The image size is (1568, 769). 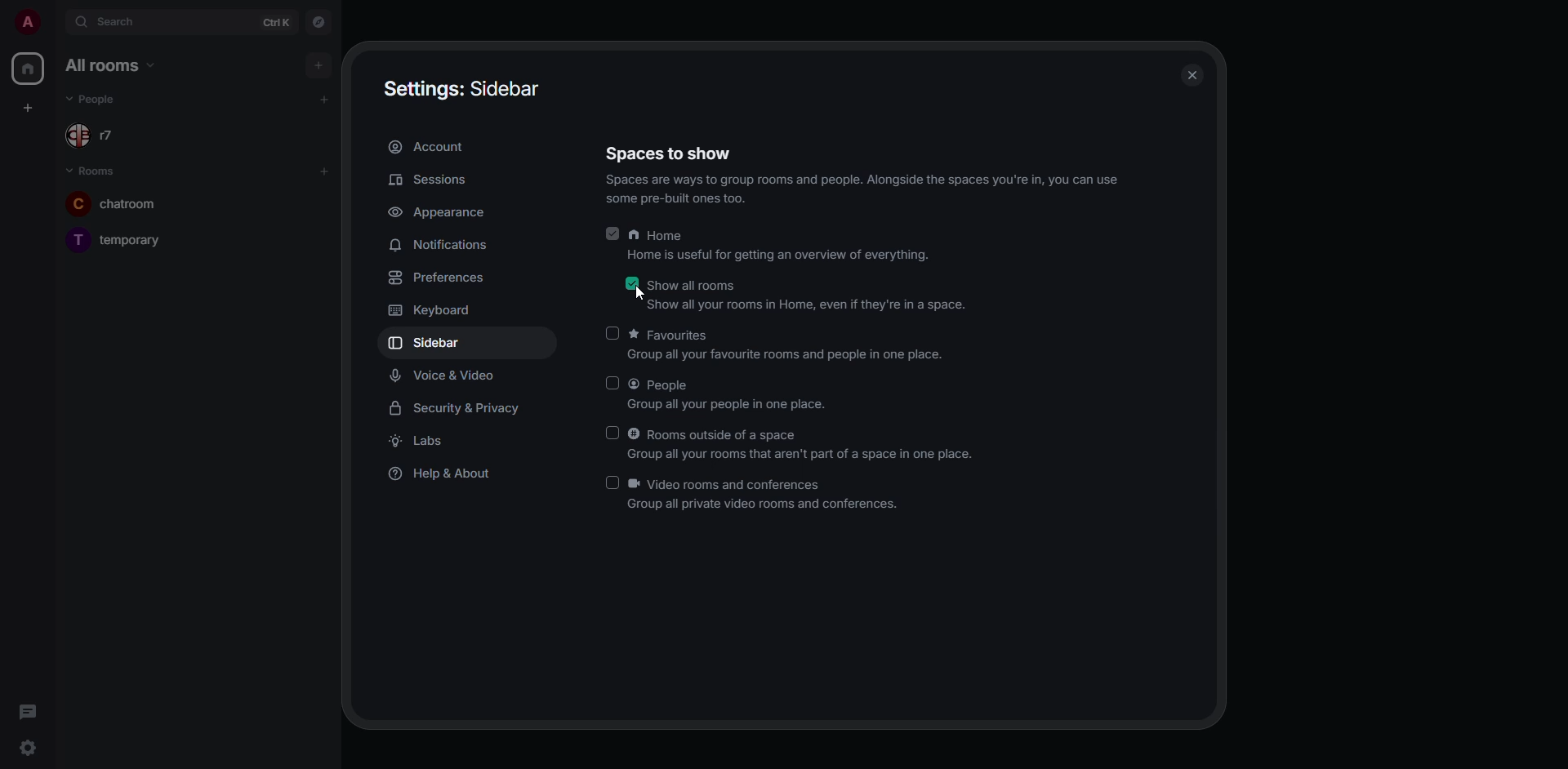 What do you see at coordinates (439, 278) in the screenshot?
I see `preferences` at bounding box center [439, 278].